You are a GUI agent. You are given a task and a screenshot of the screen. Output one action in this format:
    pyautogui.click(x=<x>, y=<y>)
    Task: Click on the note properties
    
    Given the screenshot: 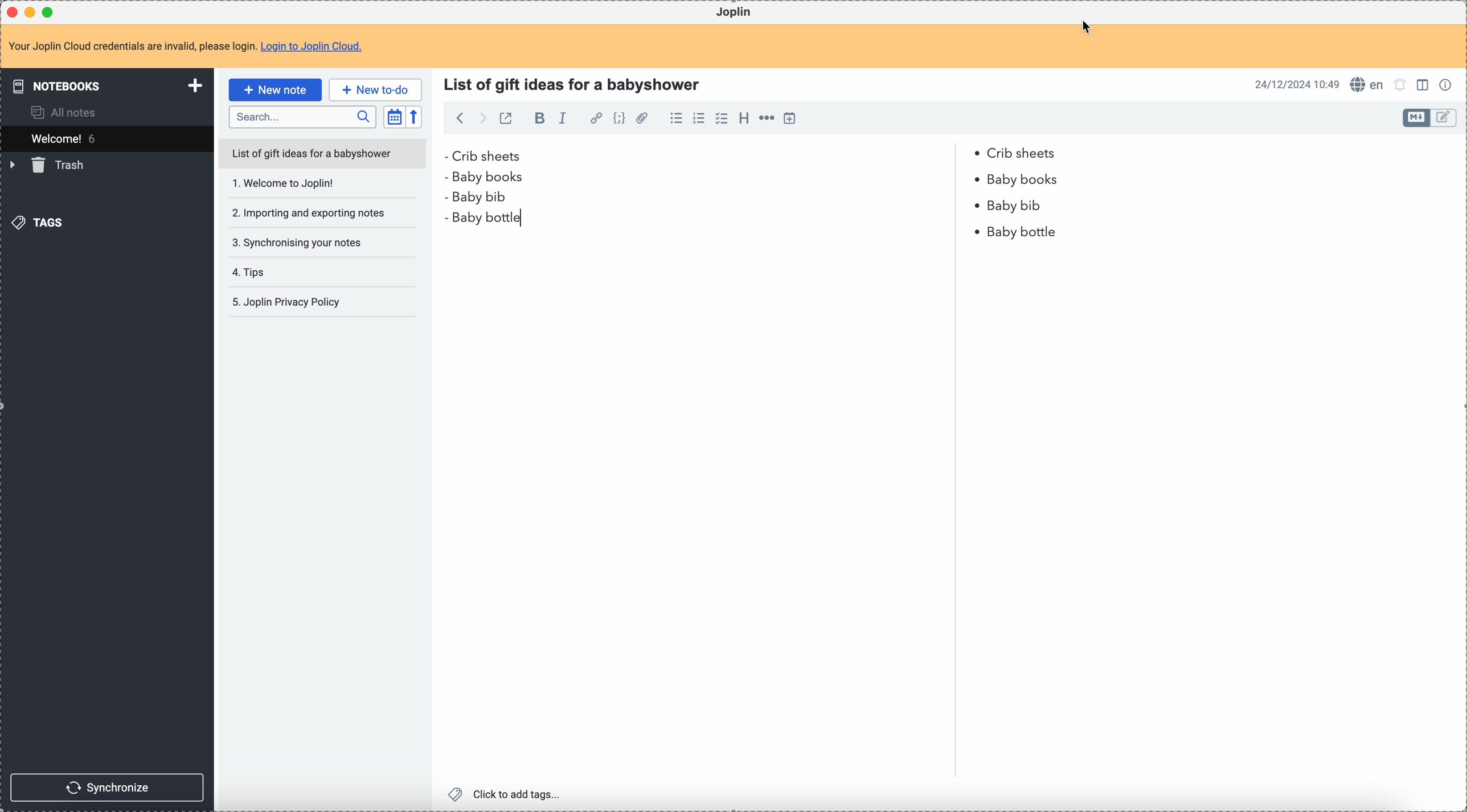 What is the action you would take?
    pyautogui.click(x=1448, y=84)
    